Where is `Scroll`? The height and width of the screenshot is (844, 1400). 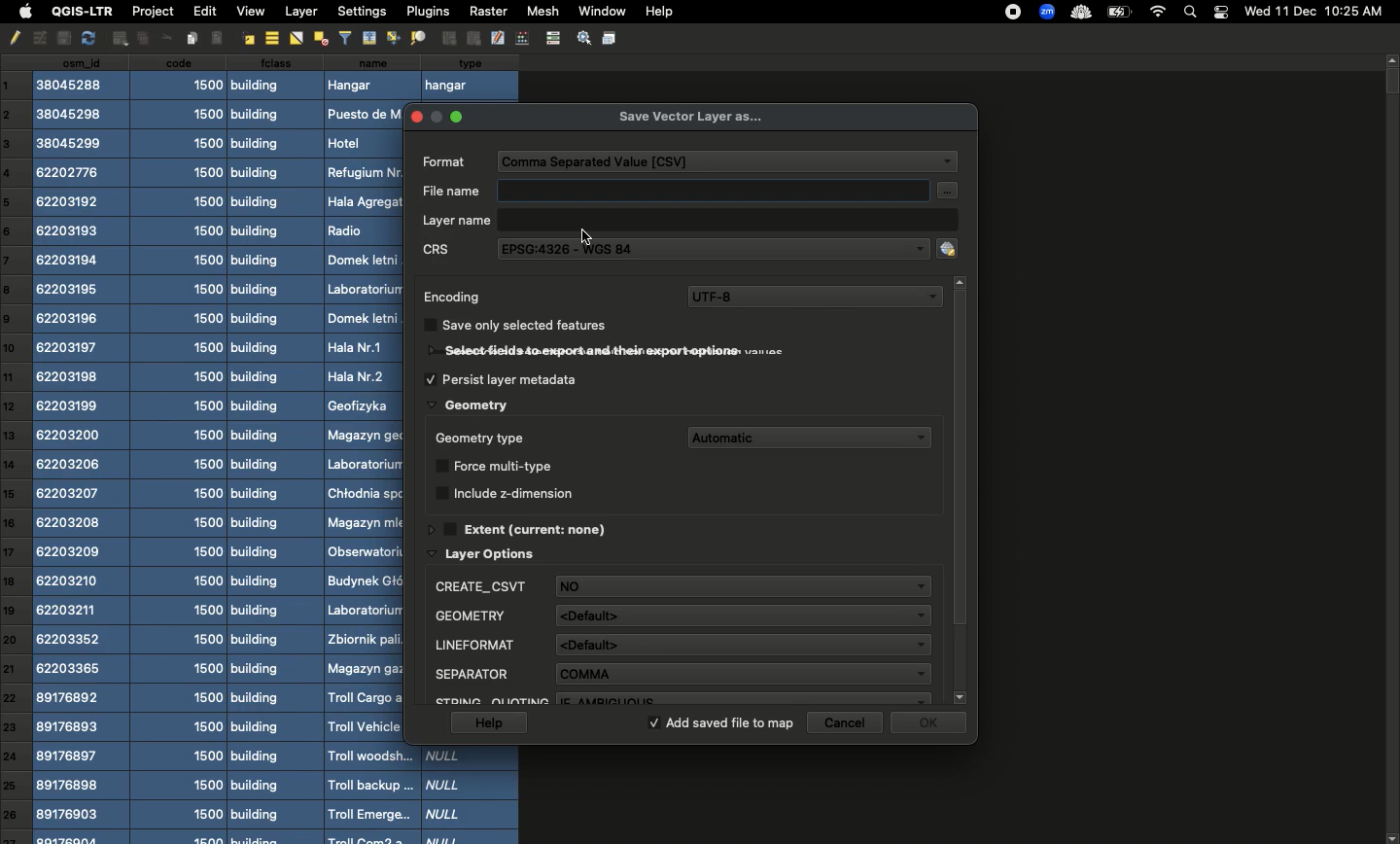
Scroll is located at coordinates (961, 488).